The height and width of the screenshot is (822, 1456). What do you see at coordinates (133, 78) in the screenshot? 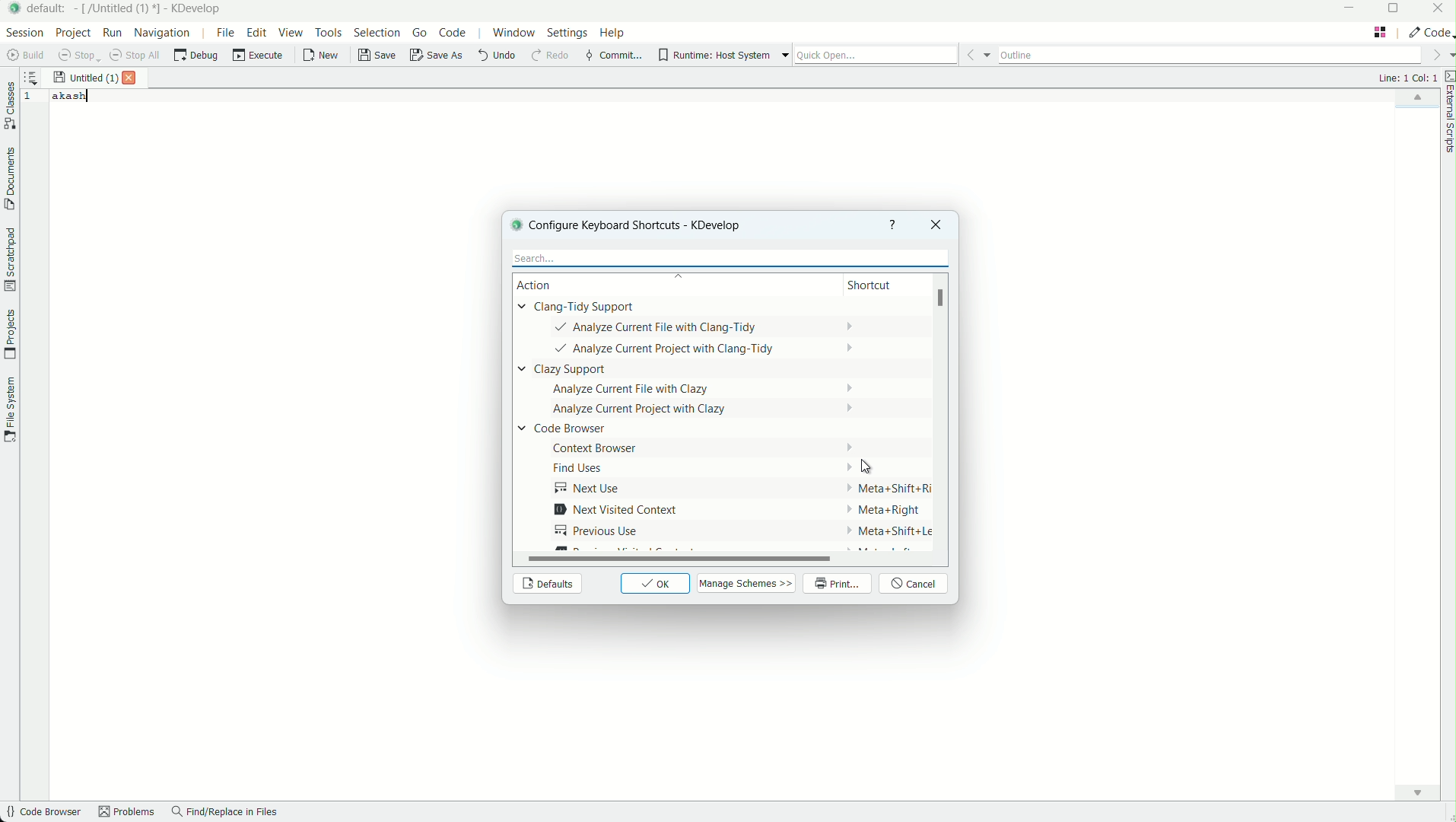
I see `close file` at bounding box center [133, 78].